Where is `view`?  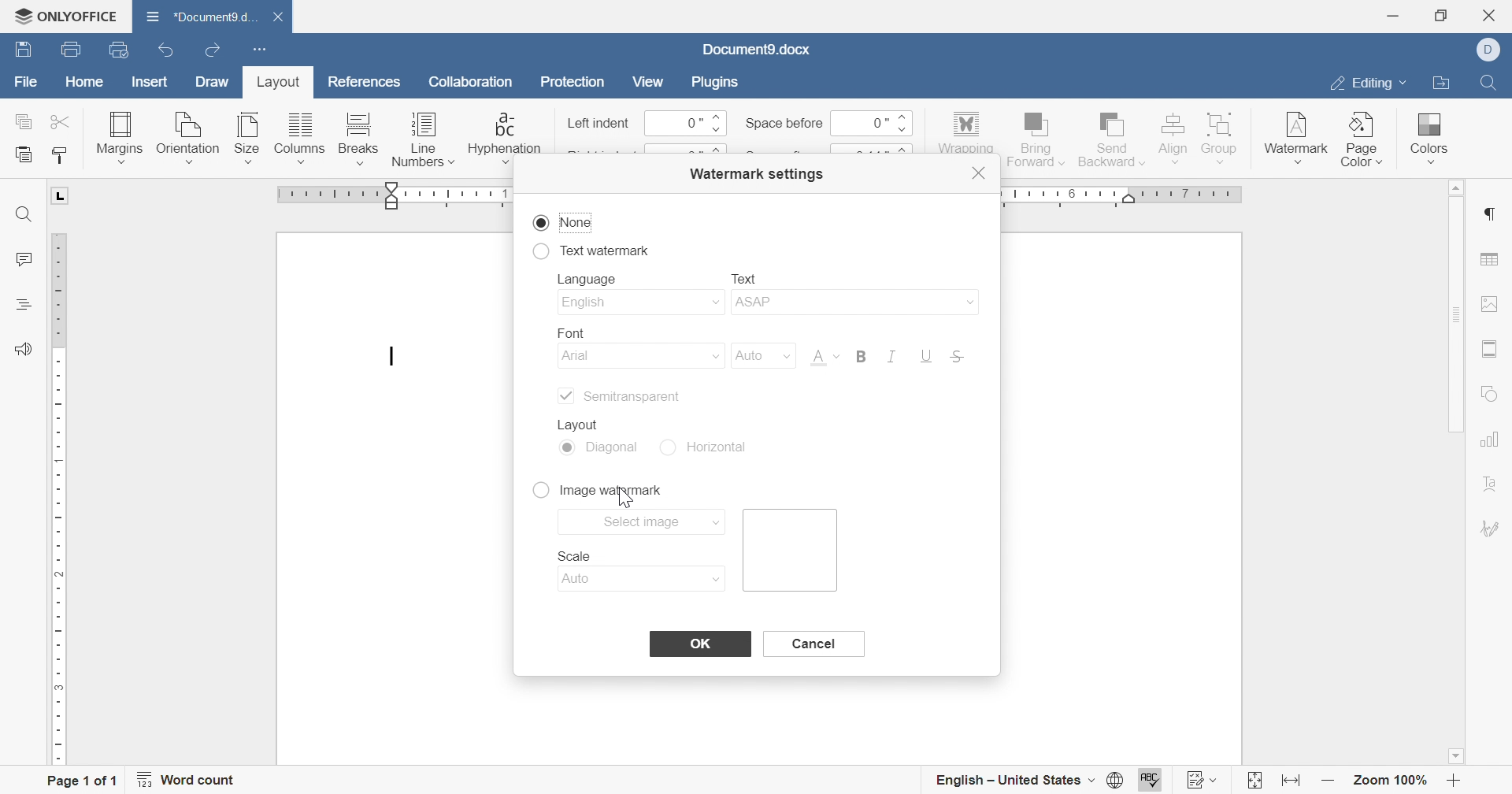 view is located at coordinates (647, 81).